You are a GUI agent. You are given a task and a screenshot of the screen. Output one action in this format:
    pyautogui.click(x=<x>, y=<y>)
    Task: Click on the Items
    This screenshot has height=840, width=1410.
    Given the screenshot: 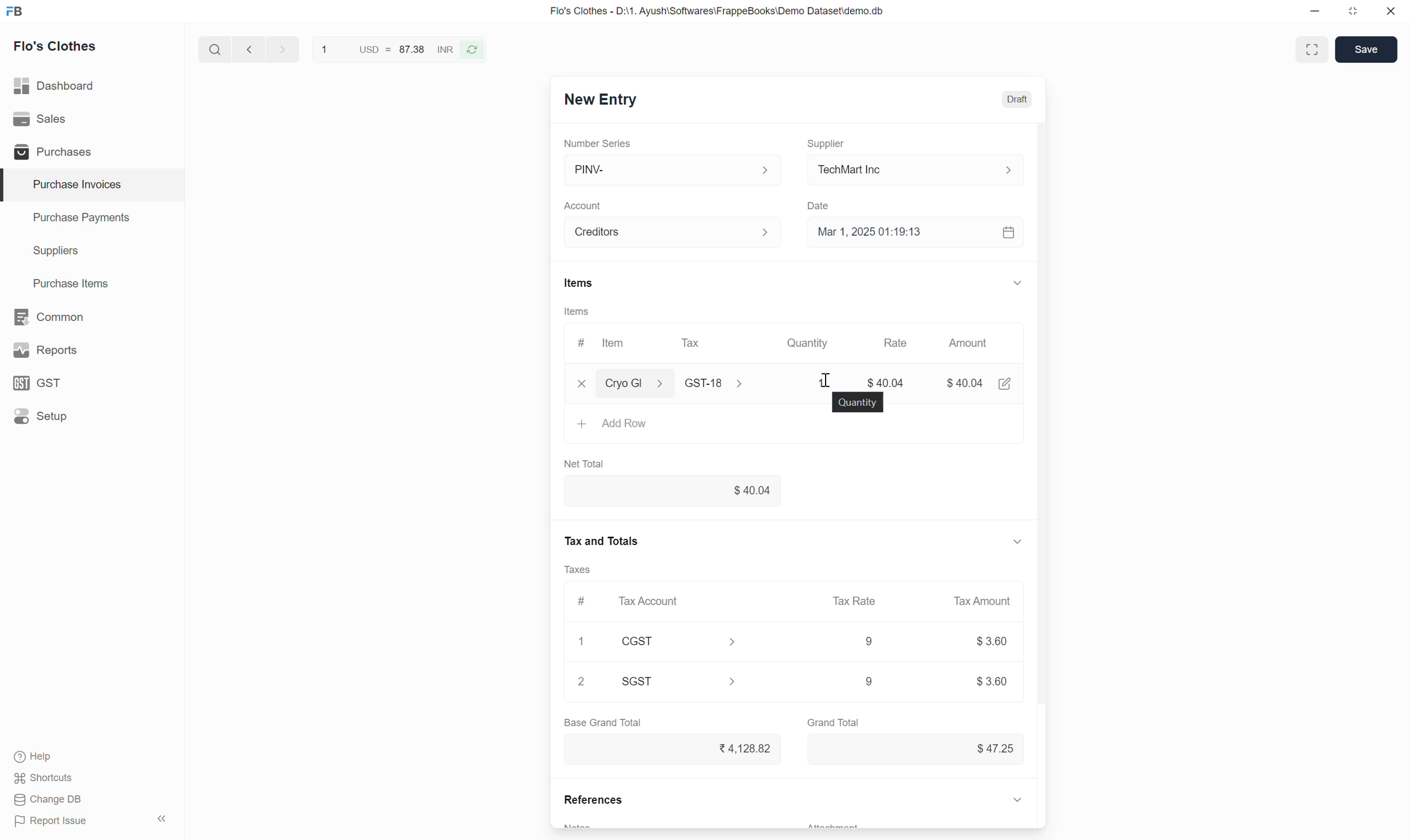 What is the action you would take?
    pyautogui.click(x=578, y=283)
    